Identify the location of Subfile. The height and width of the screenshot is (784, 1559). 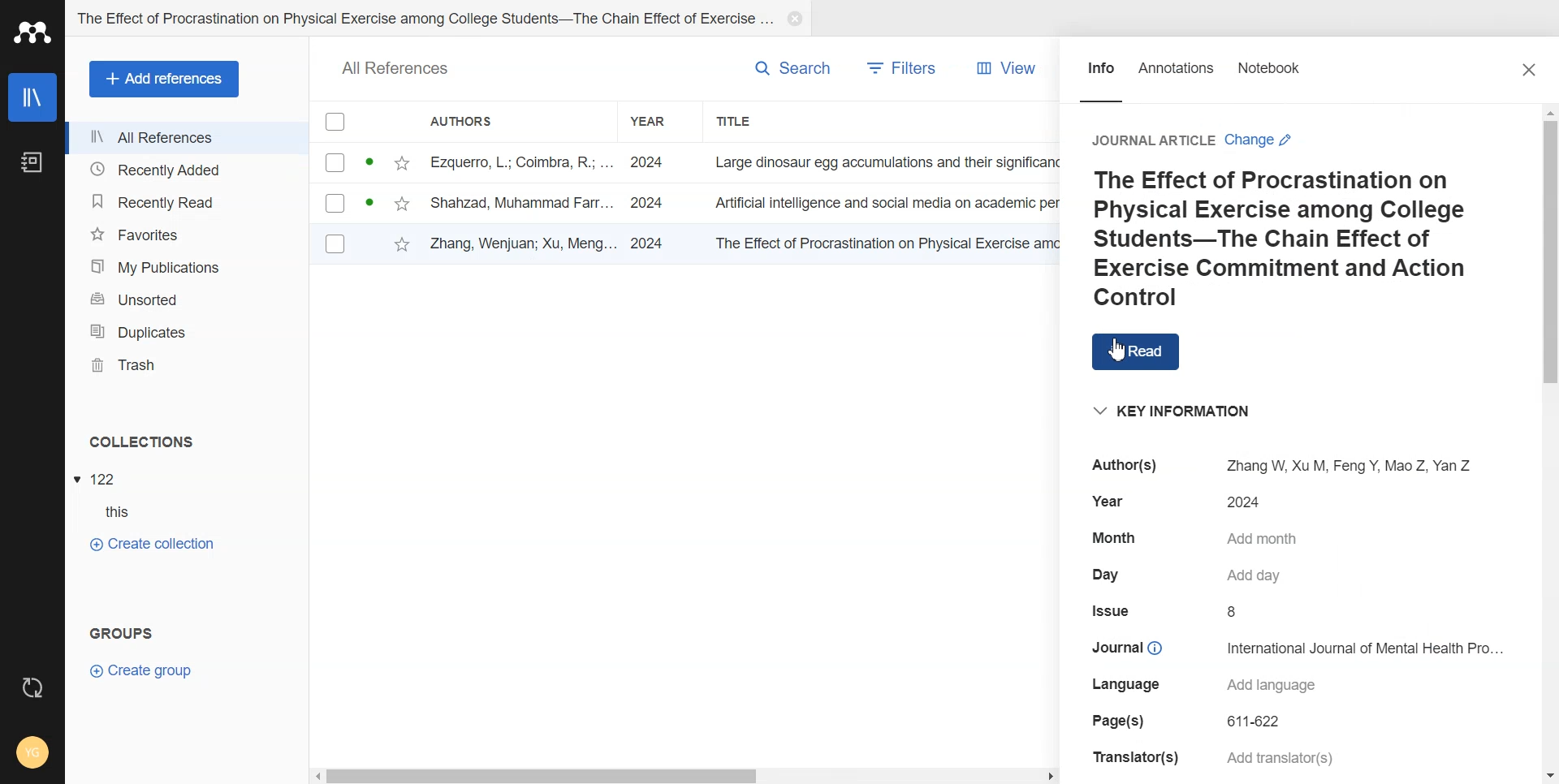
(104, 511).